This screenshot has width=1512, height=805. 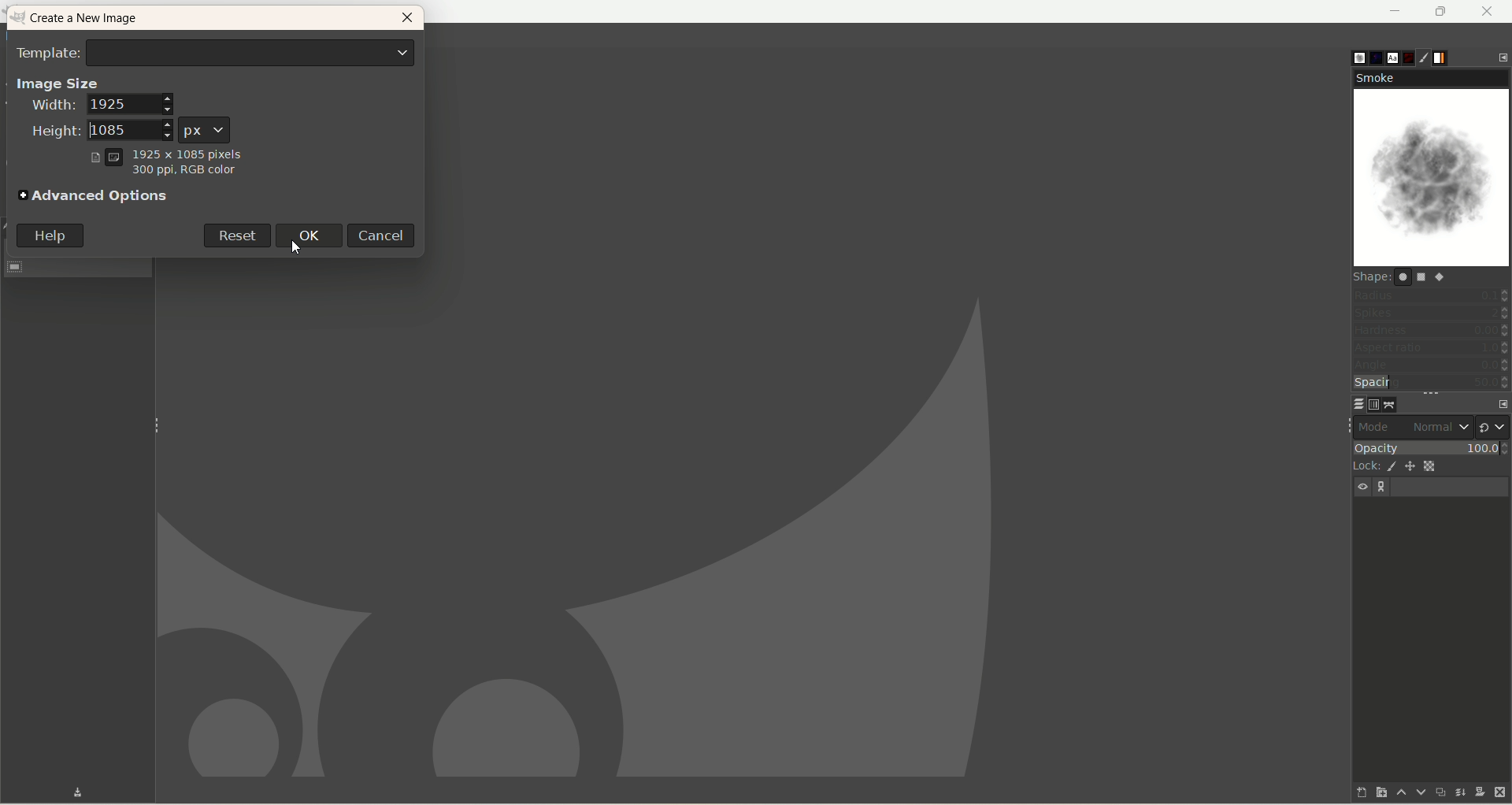 What do you see at coordinates (1432, 384) in the screenshot?
I see `spacing` at bounding box center [1432, 384].